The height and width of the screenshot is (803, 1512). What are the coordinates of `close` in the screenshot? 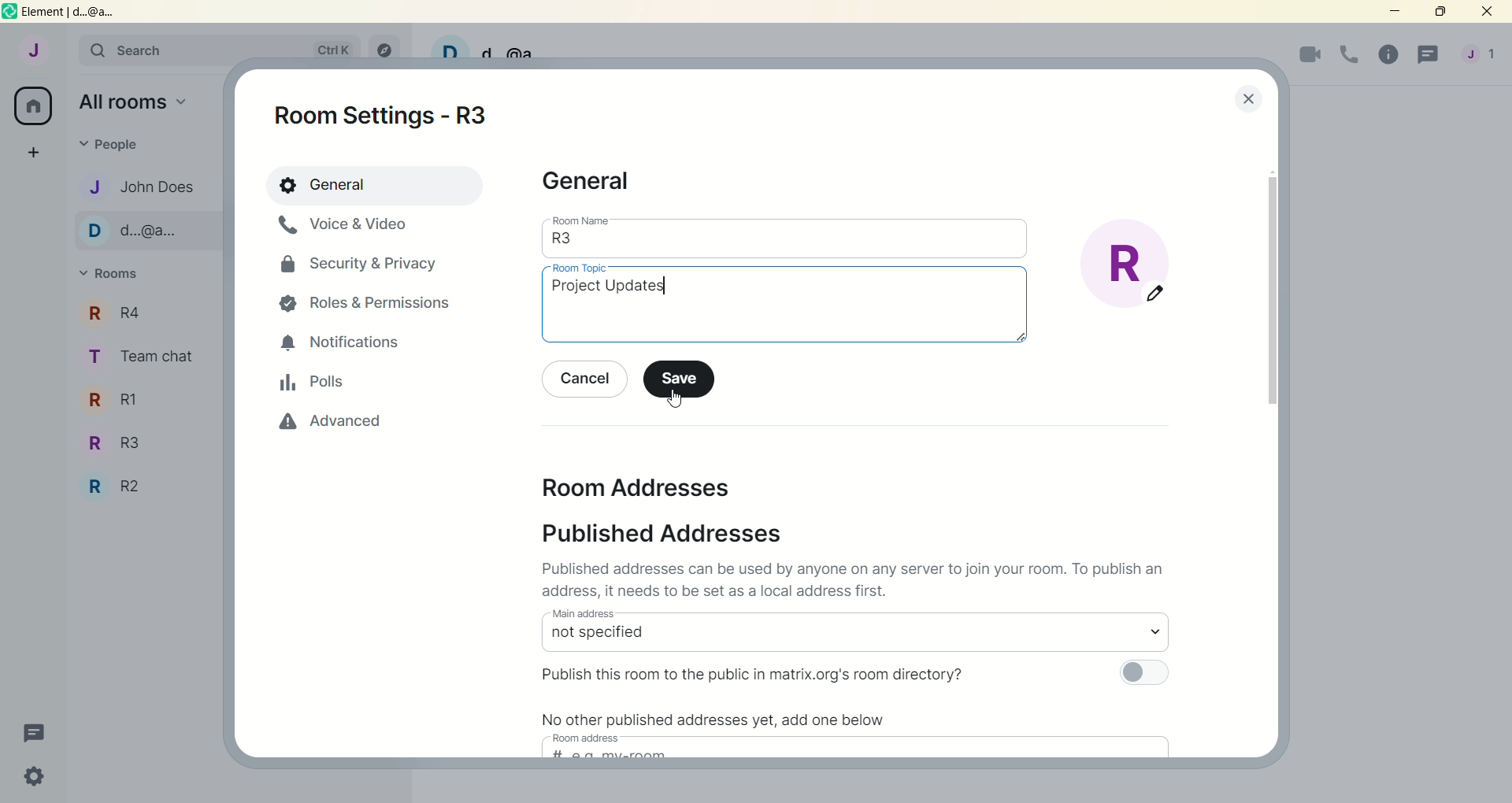 It's located at (1491, 13).